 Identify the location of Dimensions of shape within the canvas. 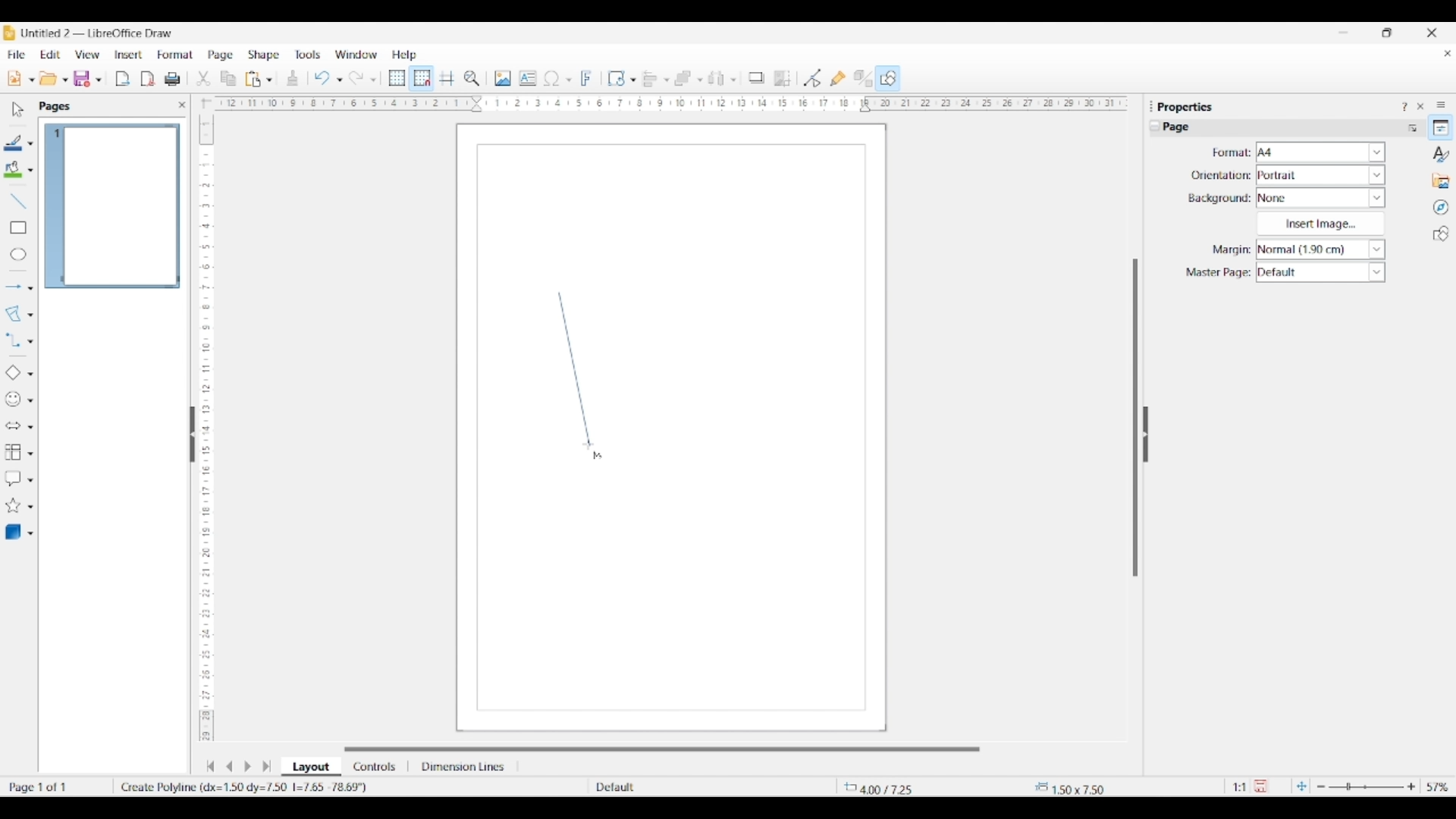
(1081, 787).